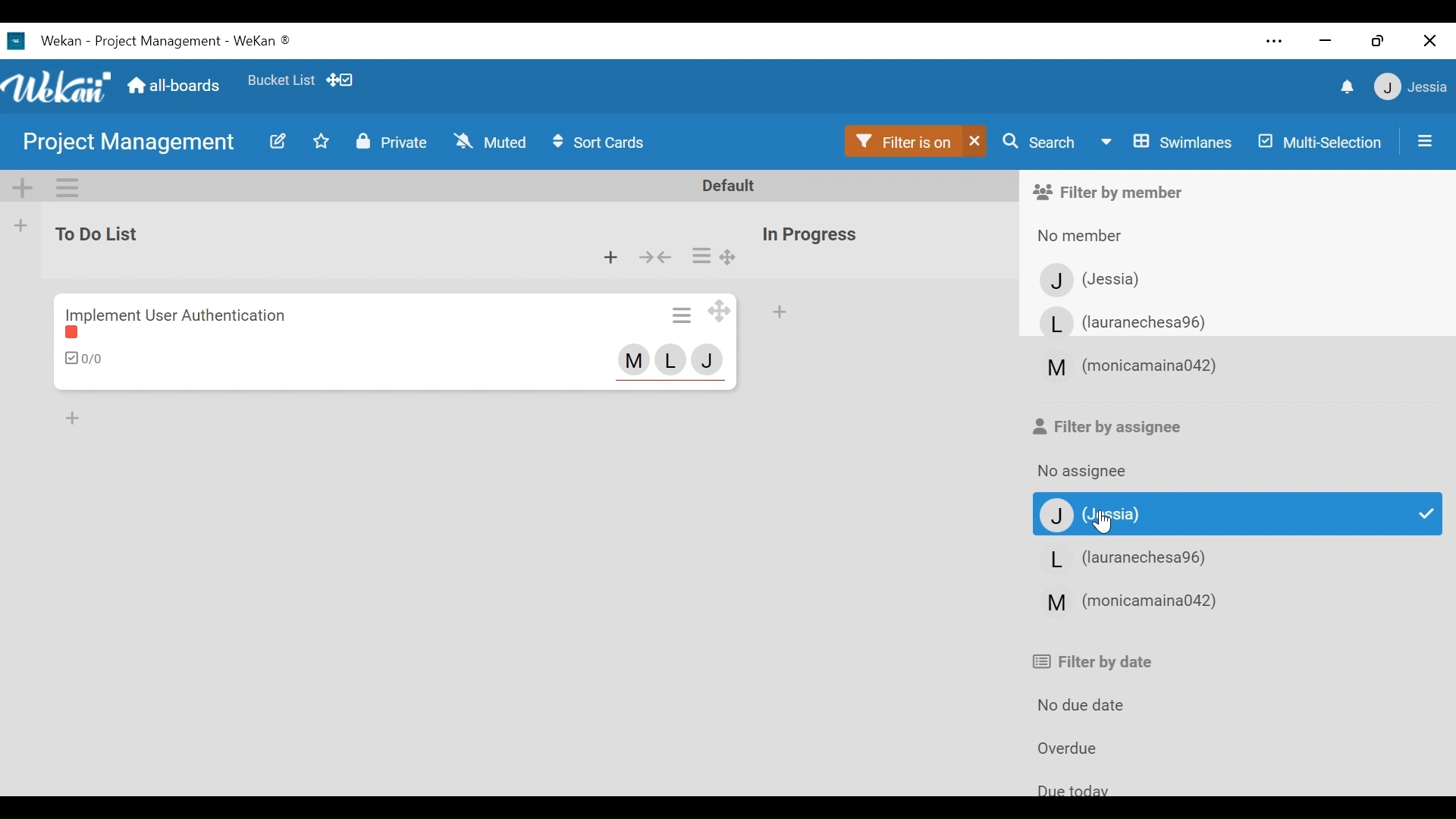  I want to click on Member, so click(1147, 561).